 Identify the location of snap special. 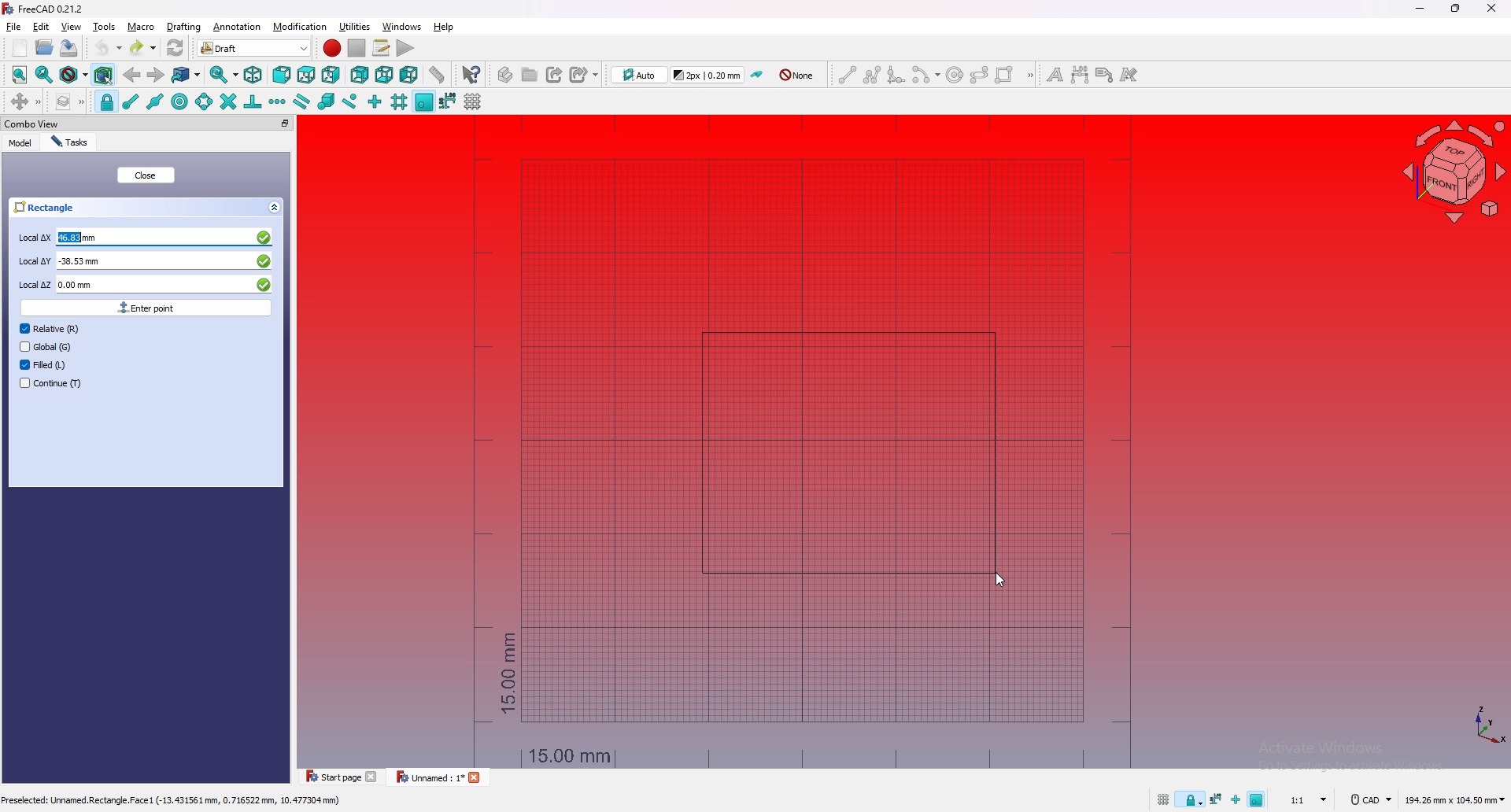
(325, 101).